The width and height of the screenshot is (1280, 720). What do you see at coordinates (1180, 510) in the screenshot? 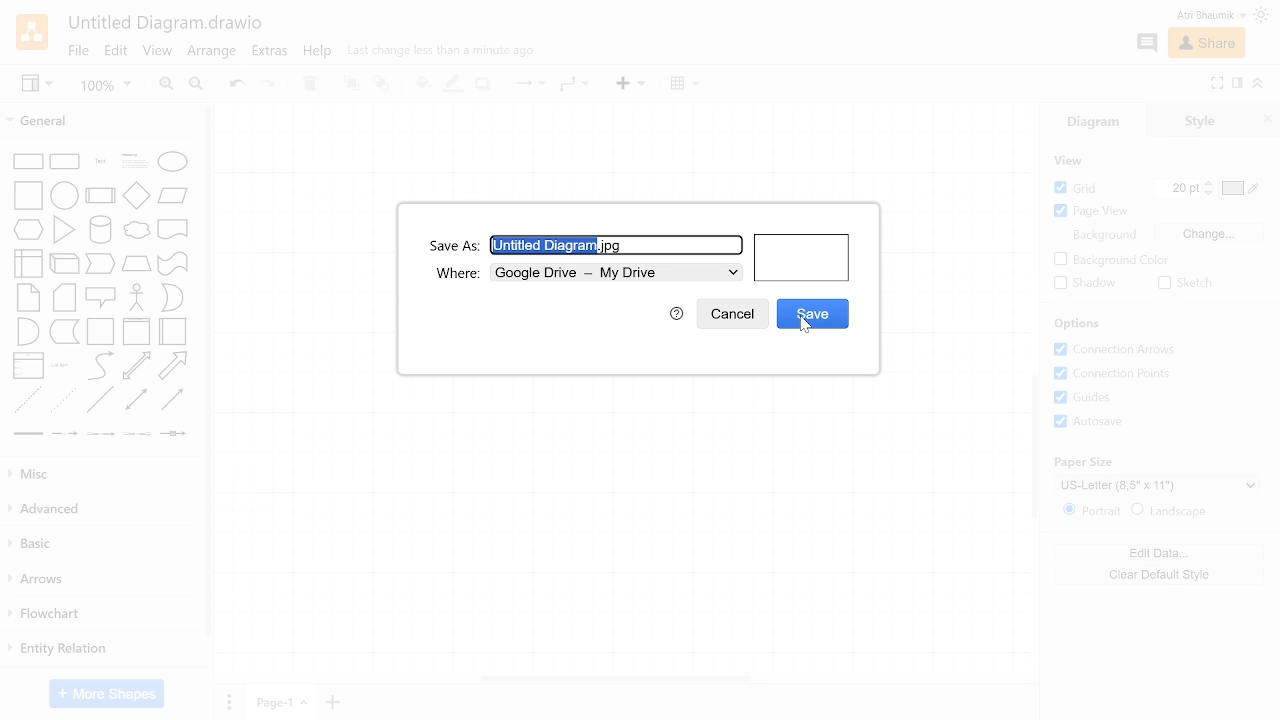
I see `Landscape` at bounding box center [1180, 510].